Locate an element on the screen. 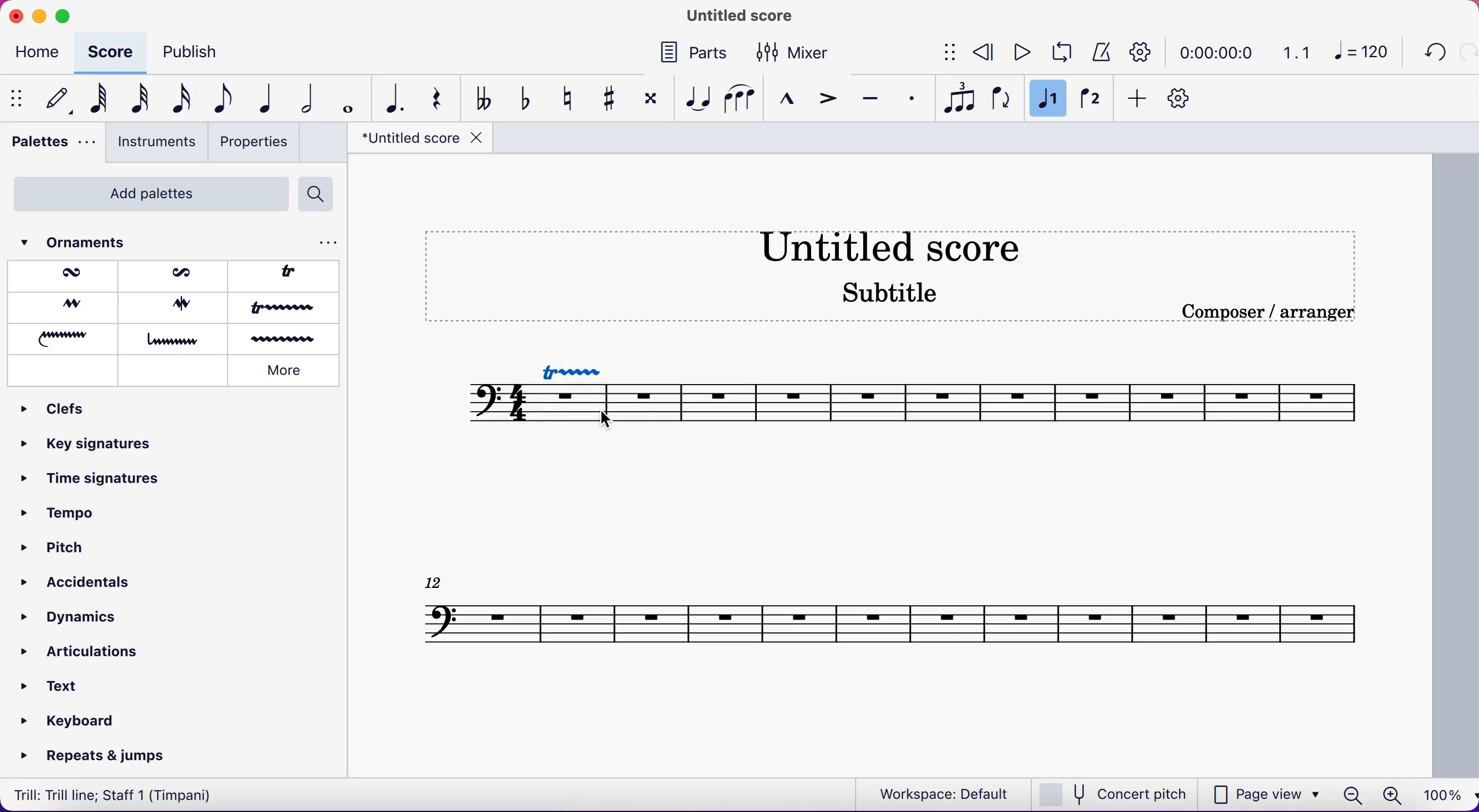  show/hide is located at coordinates (16, 99).